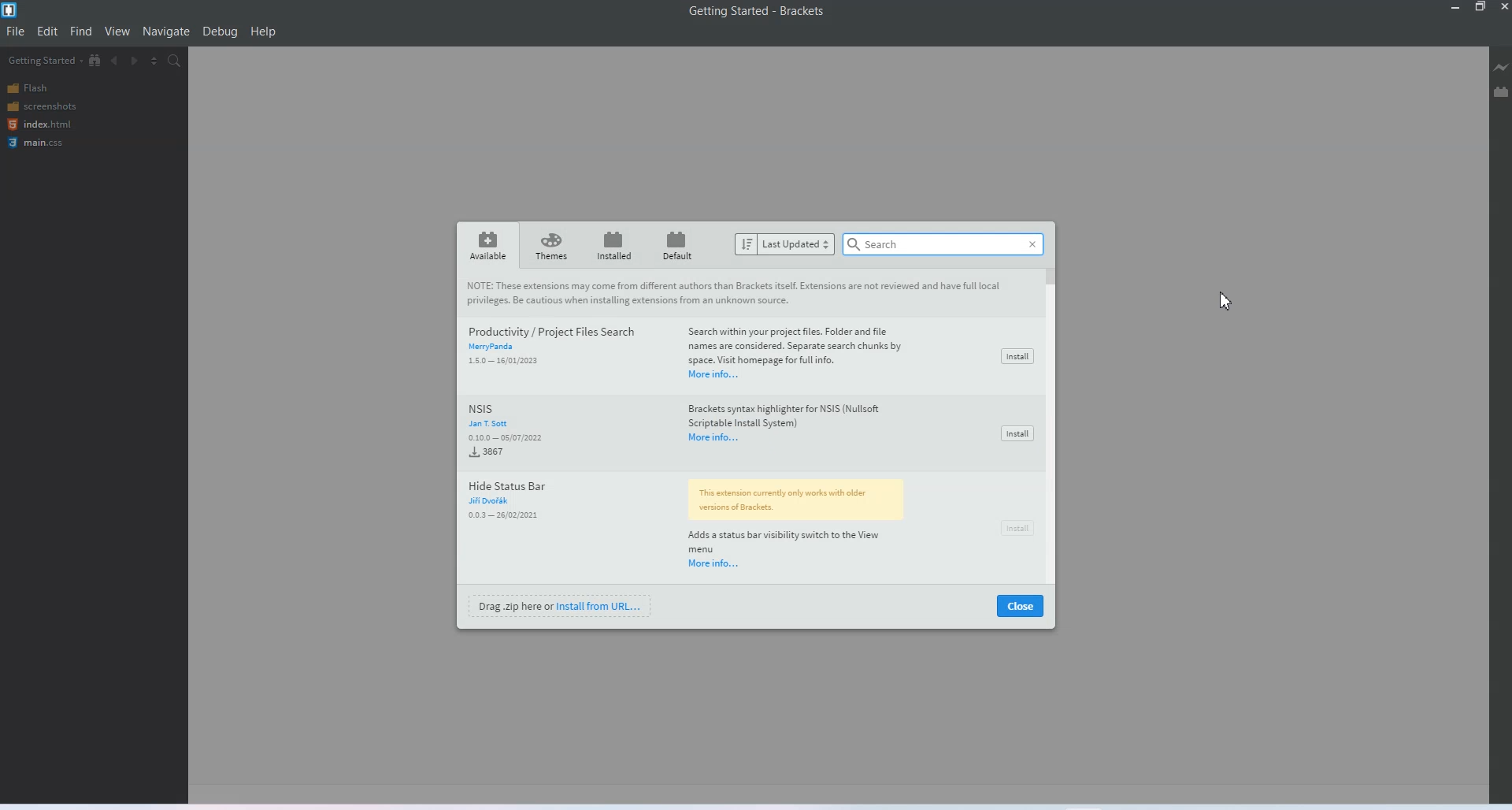 The height and width of the screenshot is (810, 1512). What do you see at coordinates (613, 245) in the screenshot?
I see `installed` at bounding box center [613, 245].